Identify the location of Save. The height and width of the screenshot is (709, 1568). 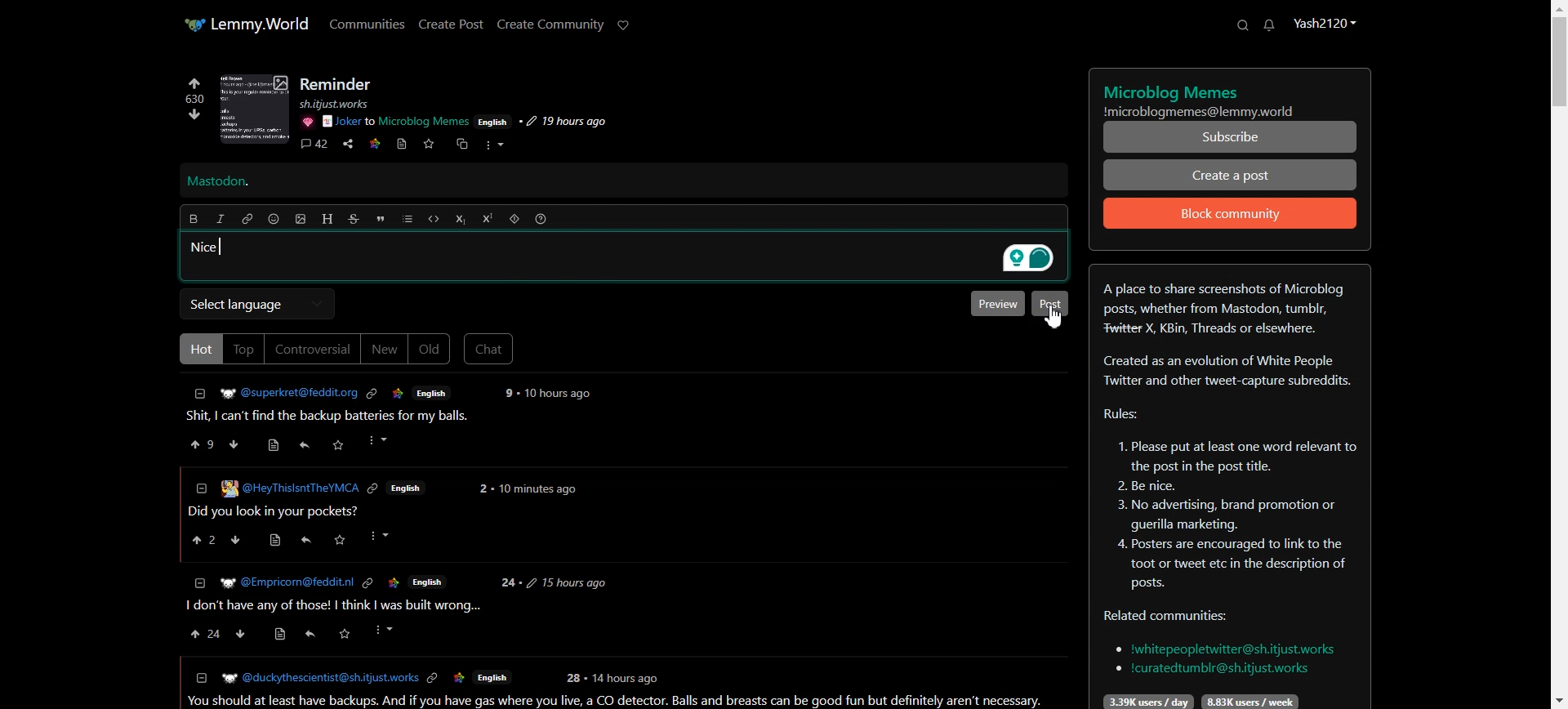
(428, 144).